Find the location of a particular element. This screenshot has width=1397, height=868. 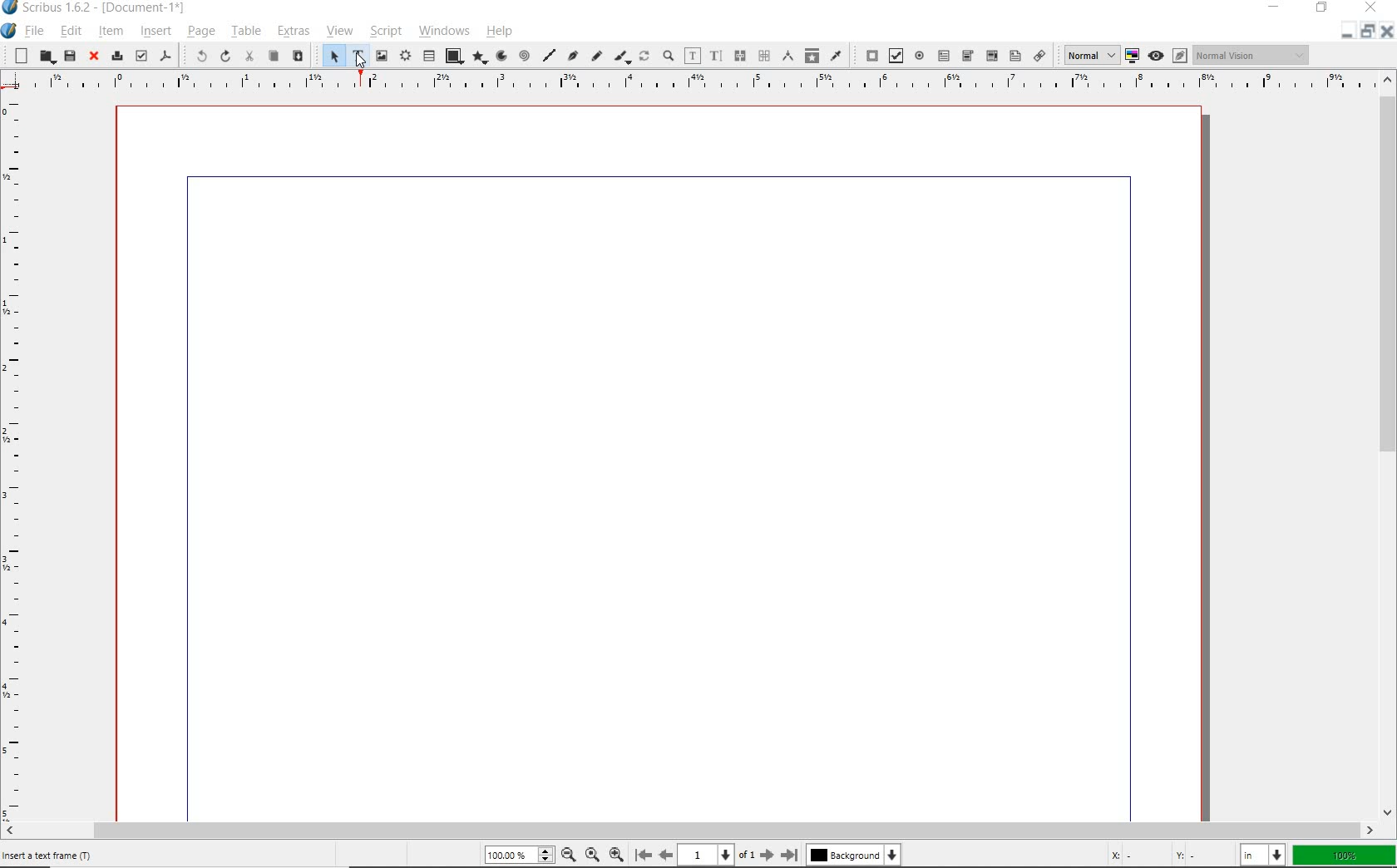

link text frames is located at coordinates (741, 56).